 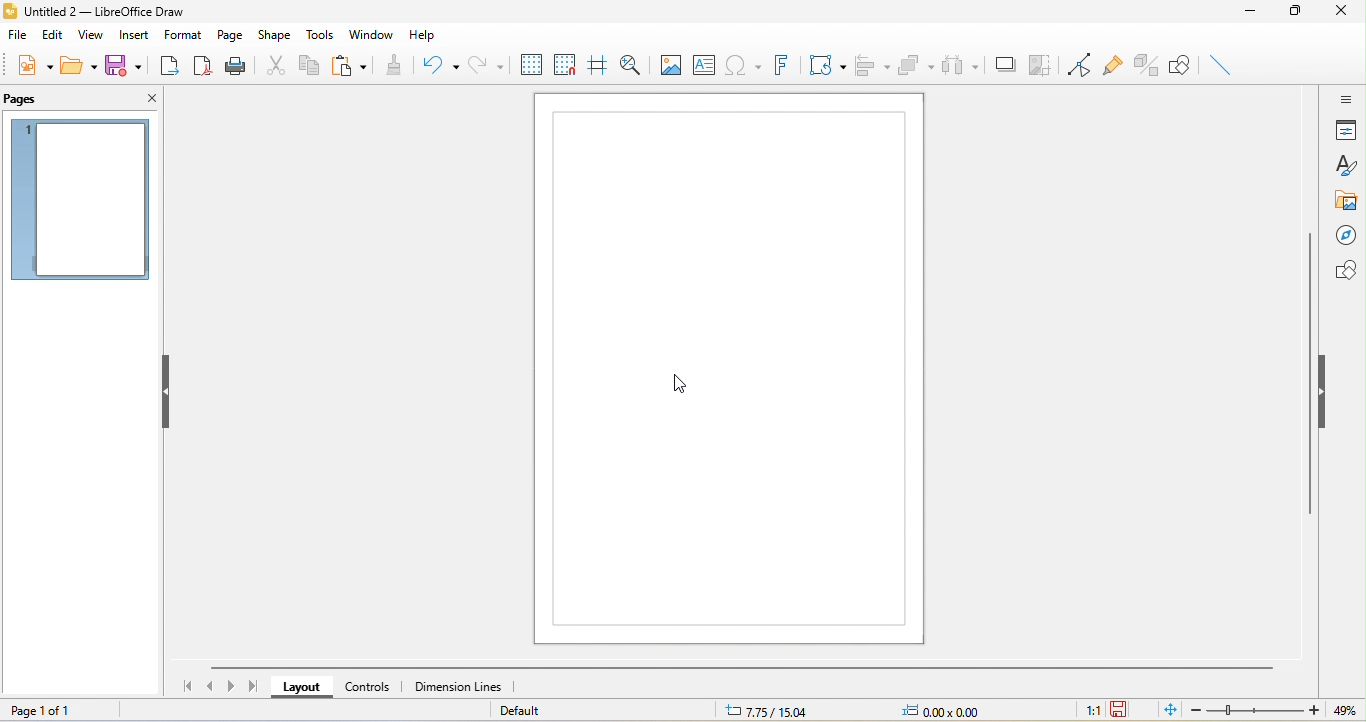 I want to click on clone formatting, so click(x=392, y=66).